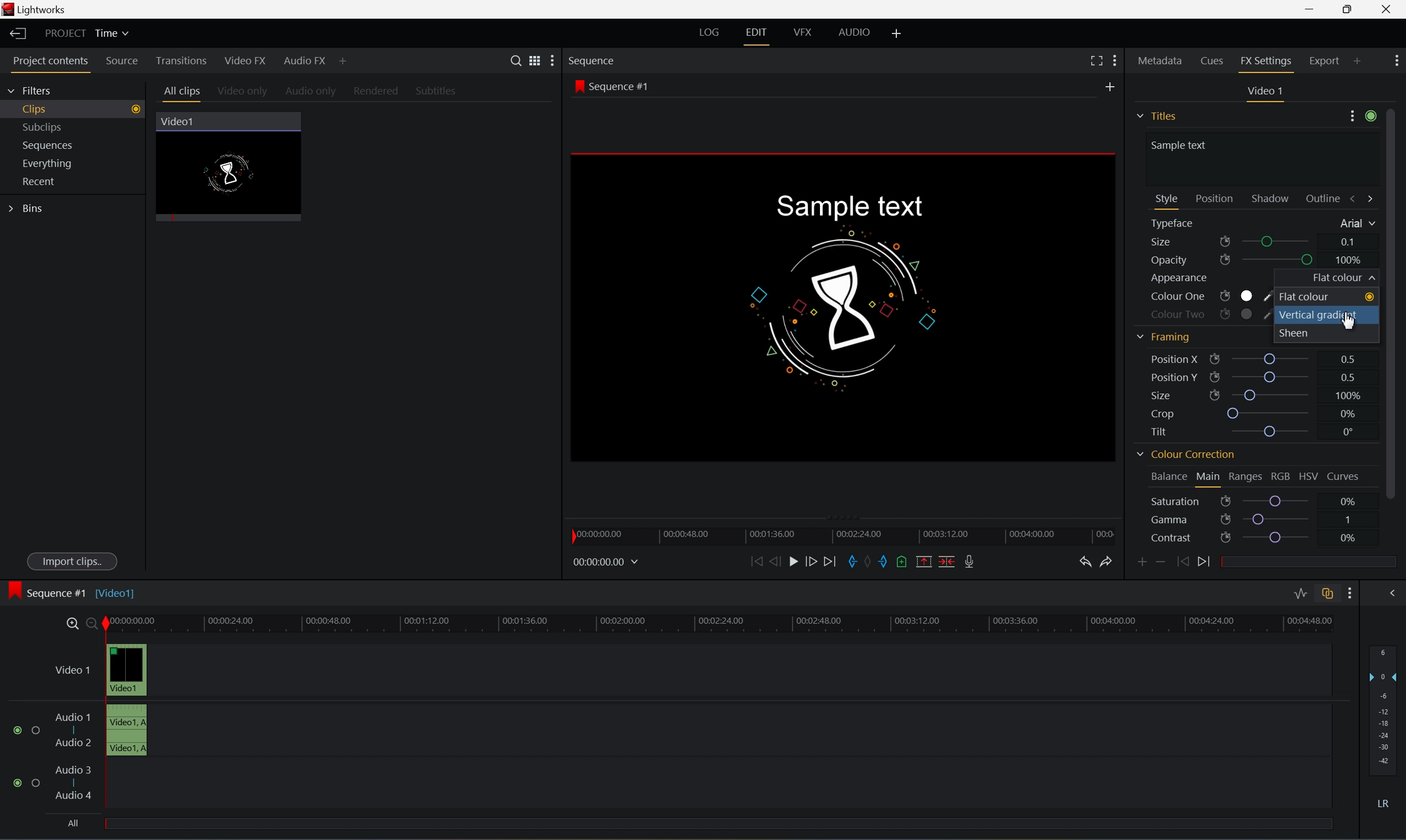 The width and height of the screenshot is (1406, 840). I want to click on fx settings, so click(1267, 63).